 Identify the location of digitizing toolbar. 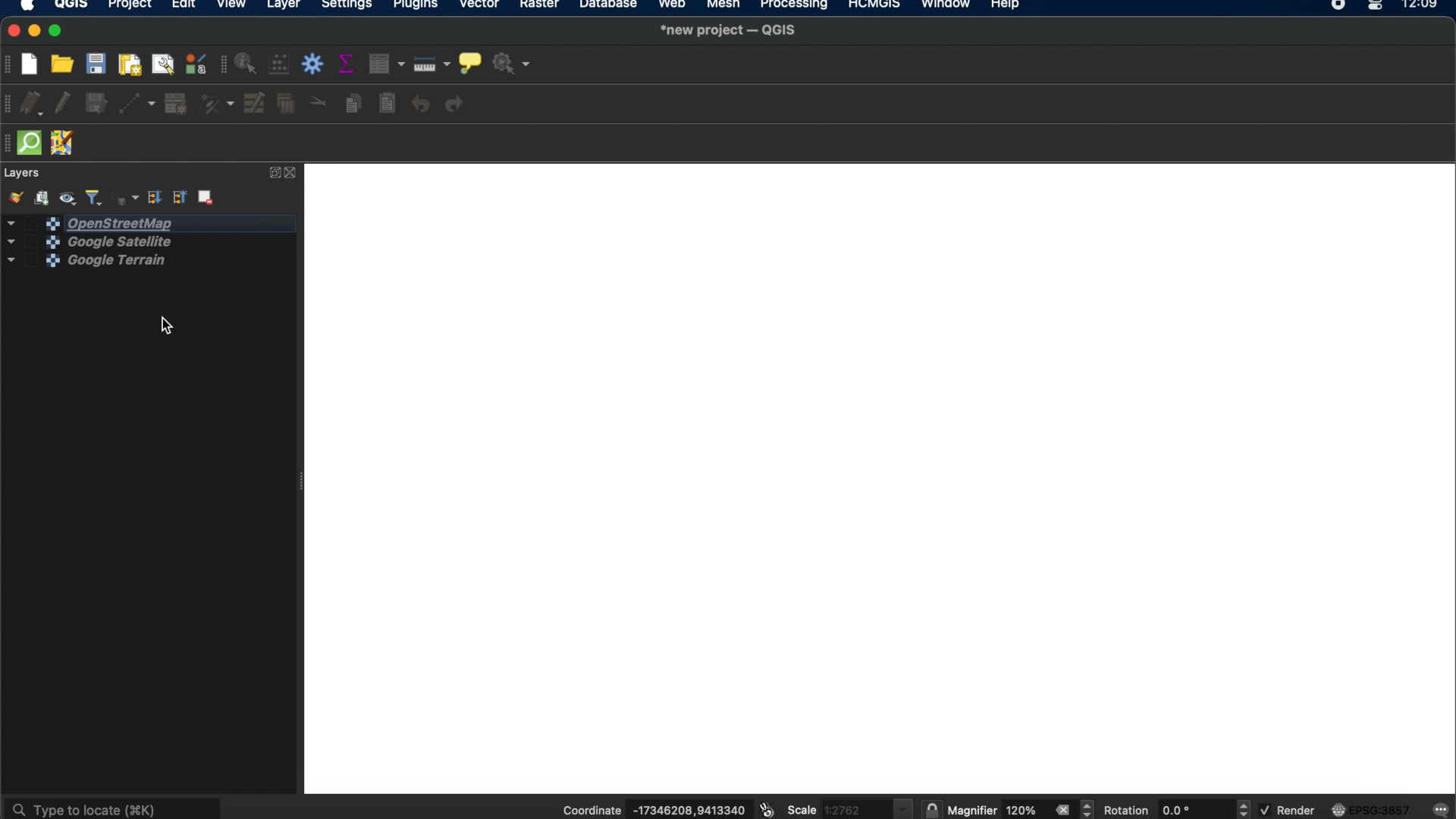
(9, 105).